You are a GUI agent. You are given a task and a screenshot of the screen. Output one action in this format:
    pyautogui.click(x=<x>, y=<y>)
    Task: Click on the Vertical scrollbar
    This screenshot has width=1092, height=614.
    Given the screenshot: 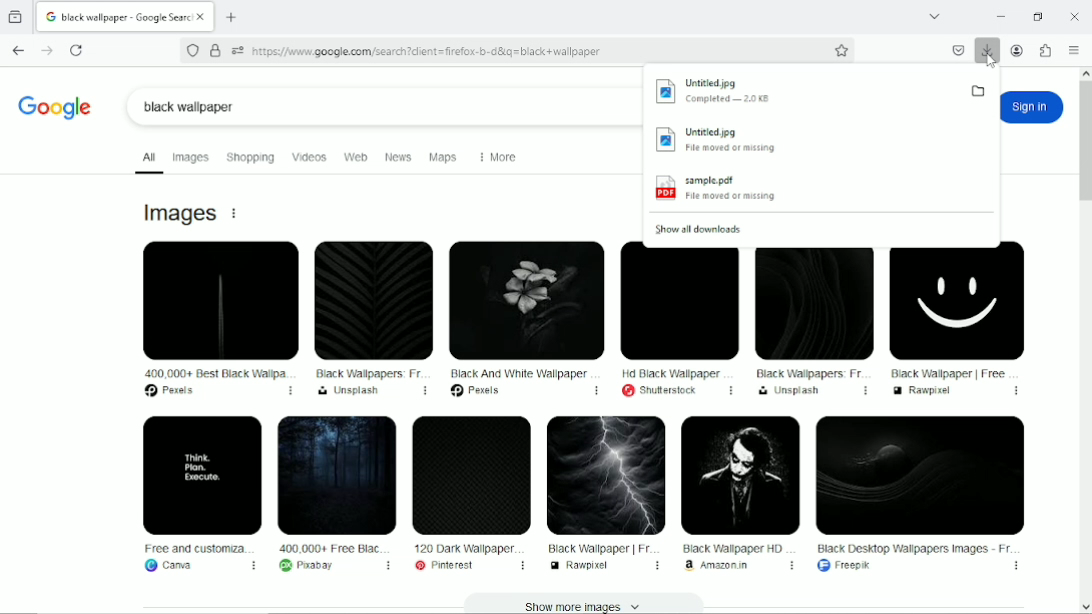 What is the action you would take?
    pyautogui.click(x=1083, y=143)
    